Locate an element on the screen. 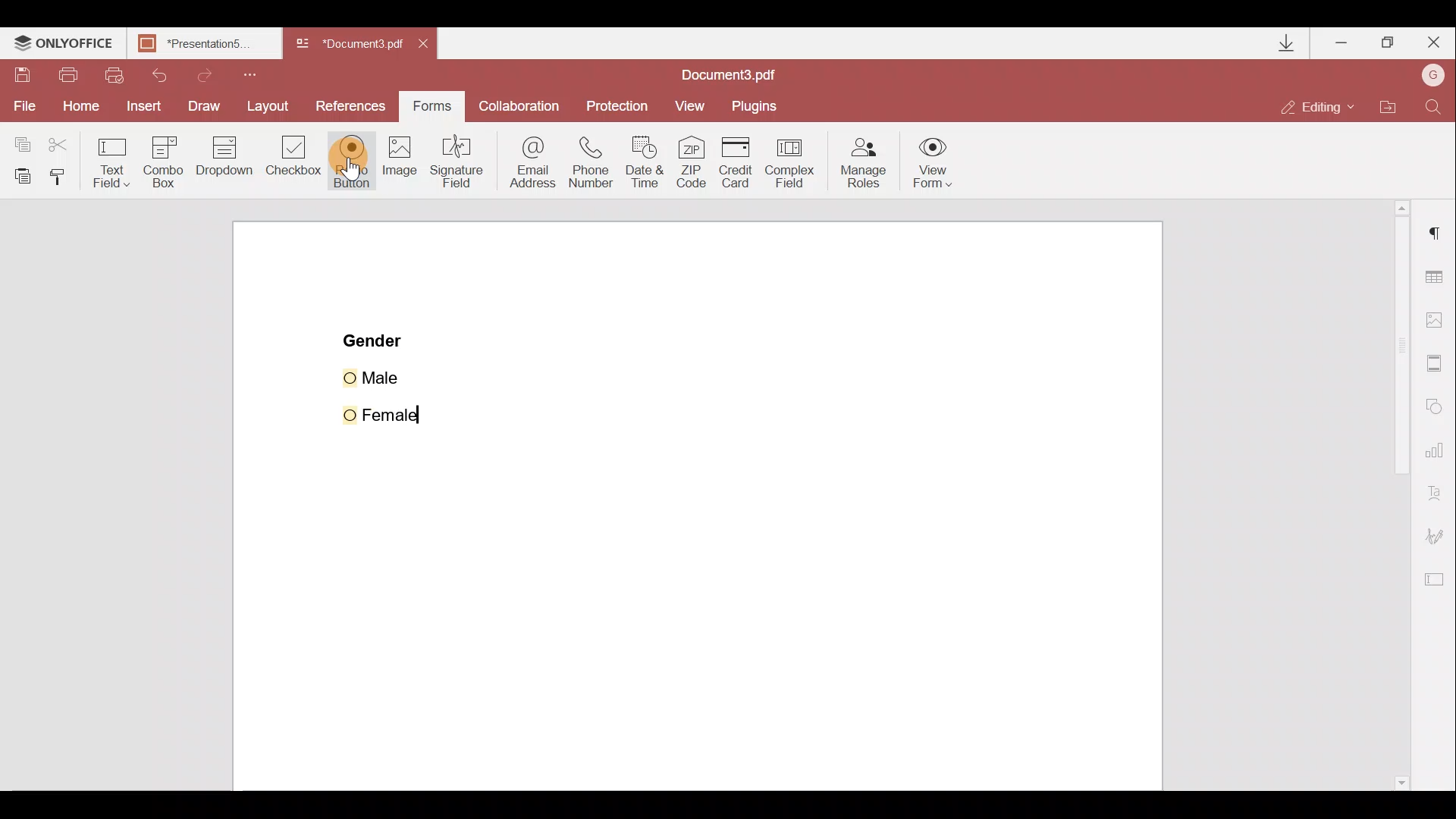  Combo box is located at coordinates (160, 160).